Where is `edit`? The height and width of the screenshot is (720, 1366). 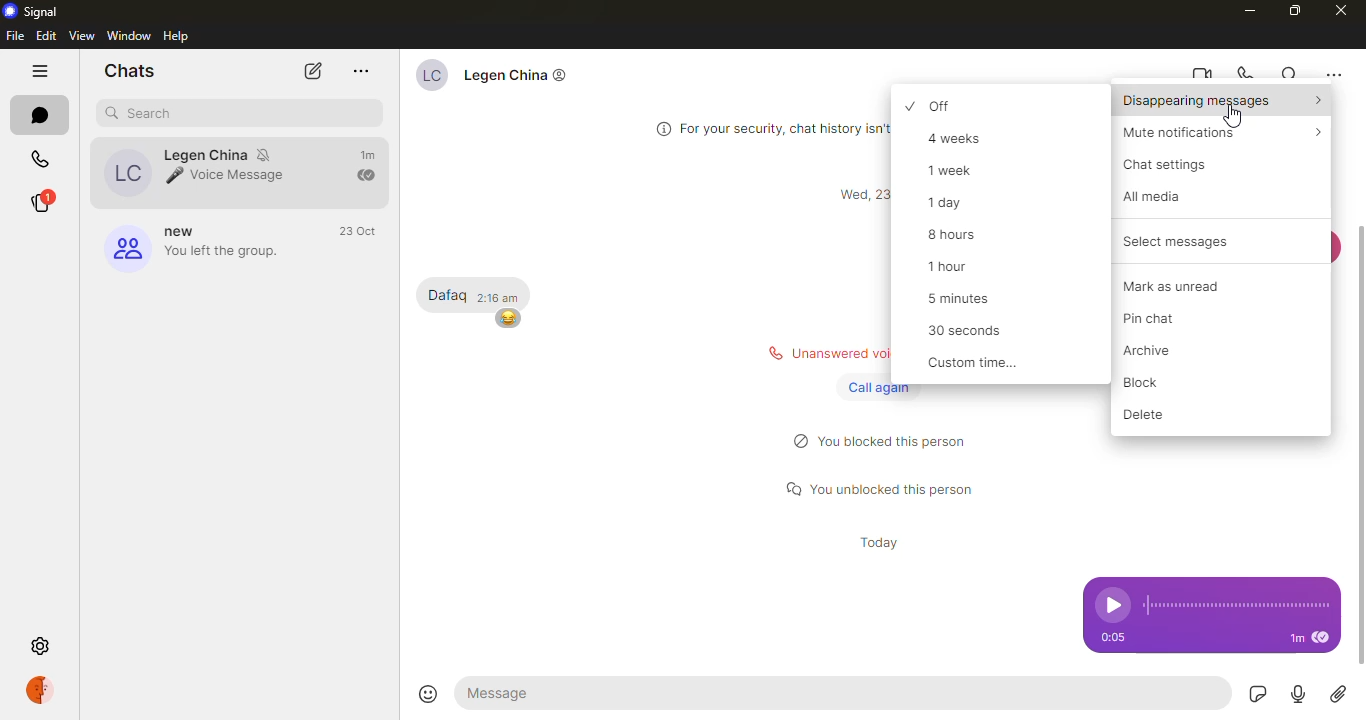 edit is located at coordinates (45, 37).